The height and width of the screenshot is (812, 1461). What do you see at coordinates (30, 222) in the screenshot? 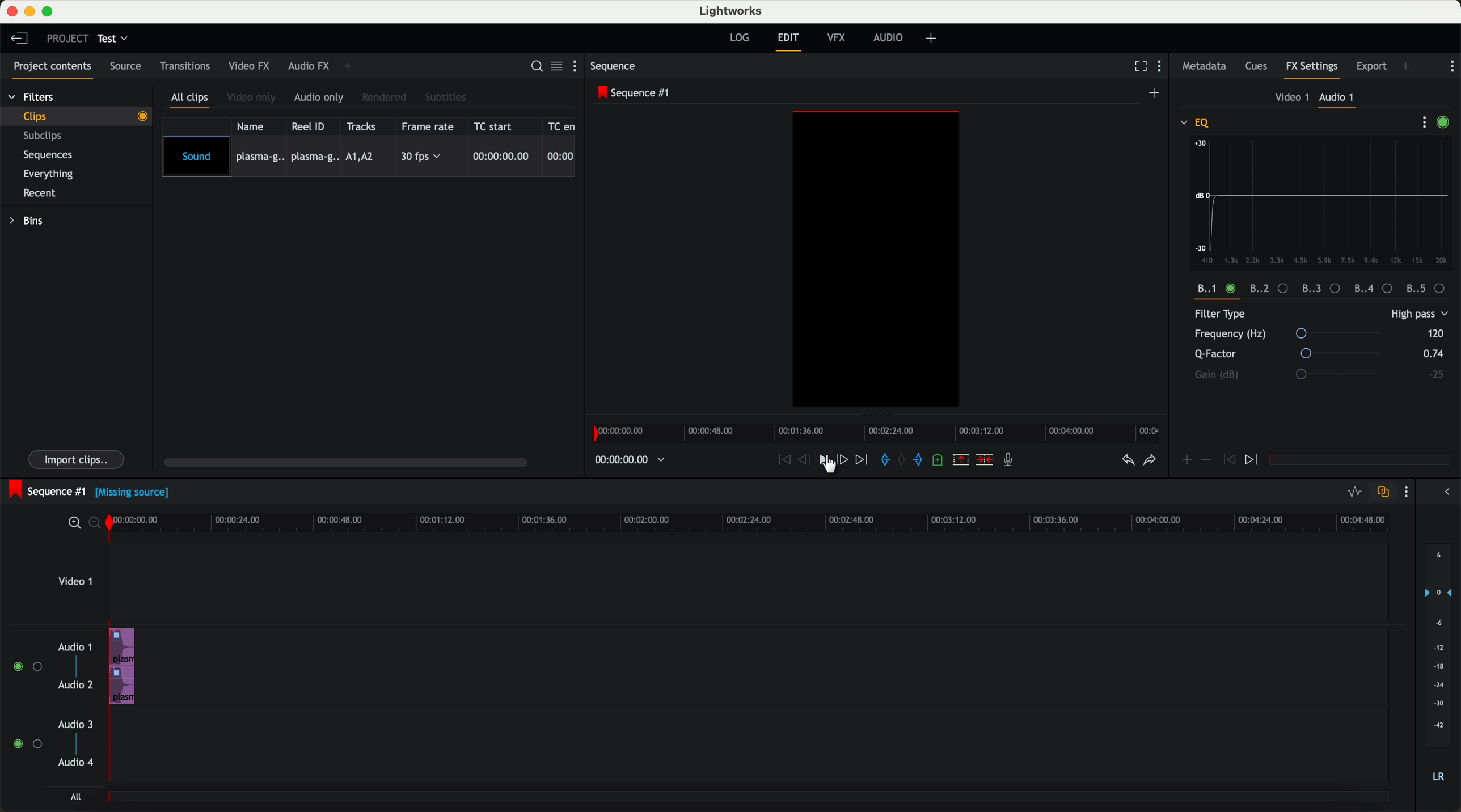
I see `bins tab` at bounding box center [30, 222].